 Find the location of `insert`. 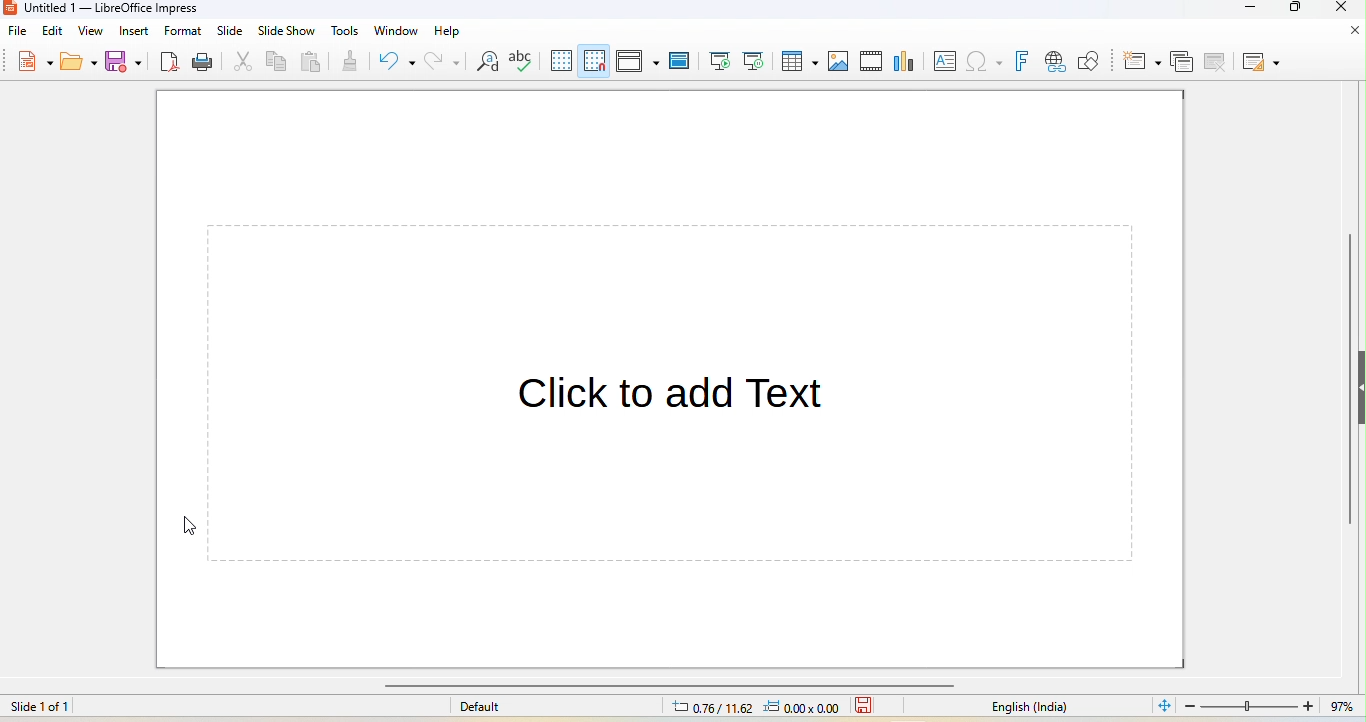

insert is located at coordinates (133, 30).